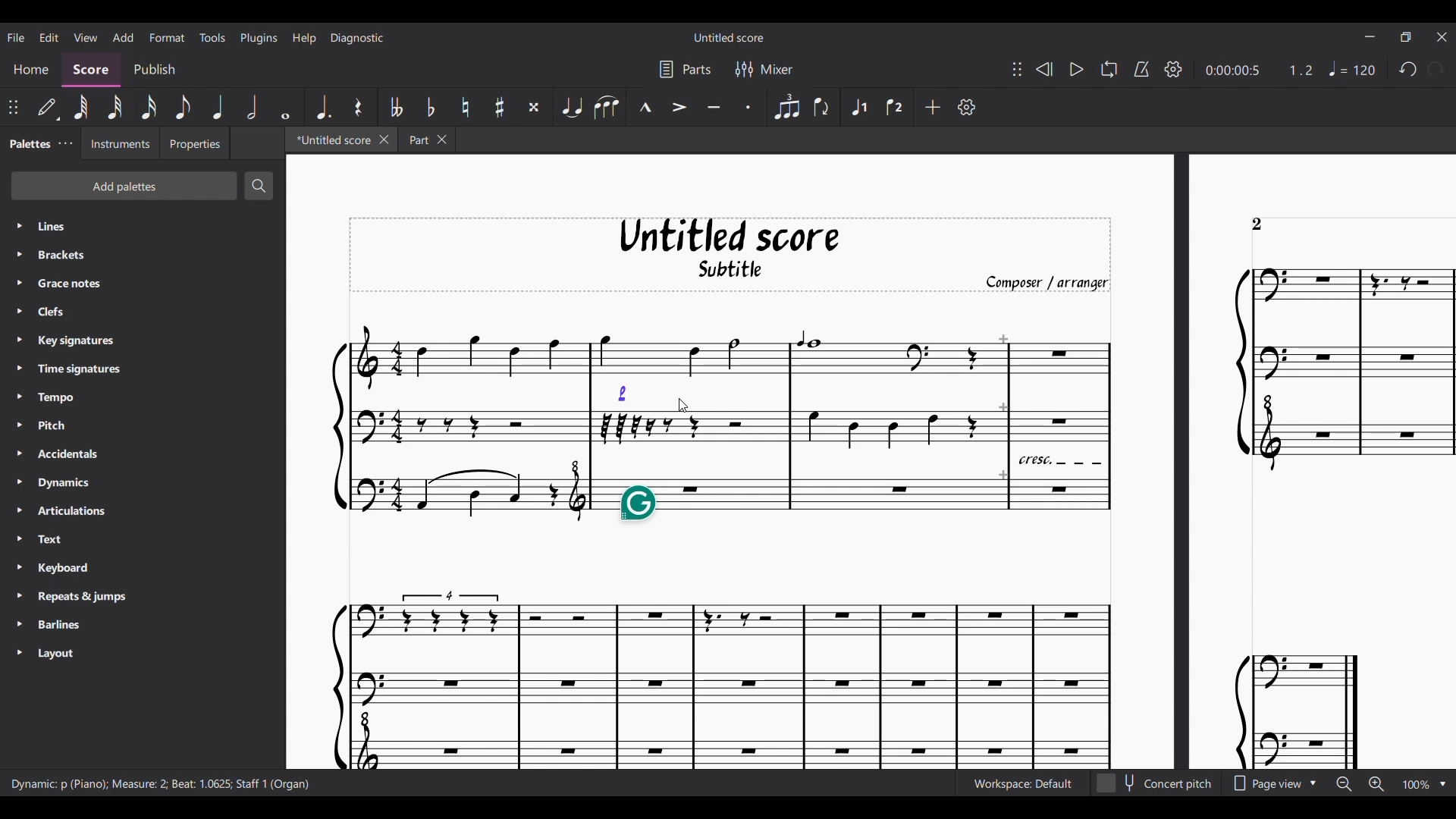 The height and width of the screenshot is (819, 1456). Describe the element at coordinates (857, 107) in the screenshot. I see `Voice 1` at that location.